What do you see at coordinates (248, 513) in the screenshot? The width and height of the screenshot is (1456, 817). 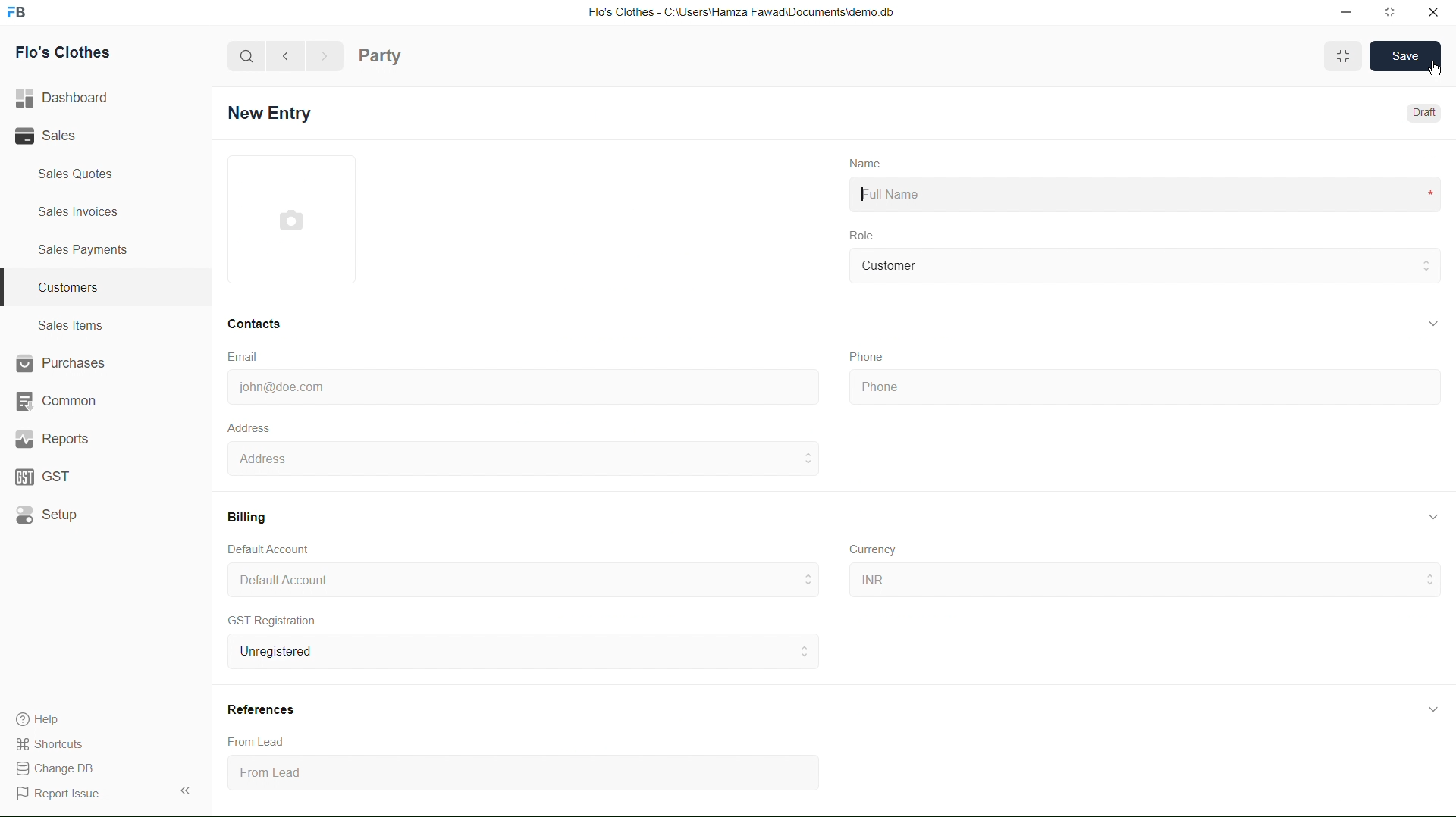 I see `Billing` at bounding box center [248, 513].